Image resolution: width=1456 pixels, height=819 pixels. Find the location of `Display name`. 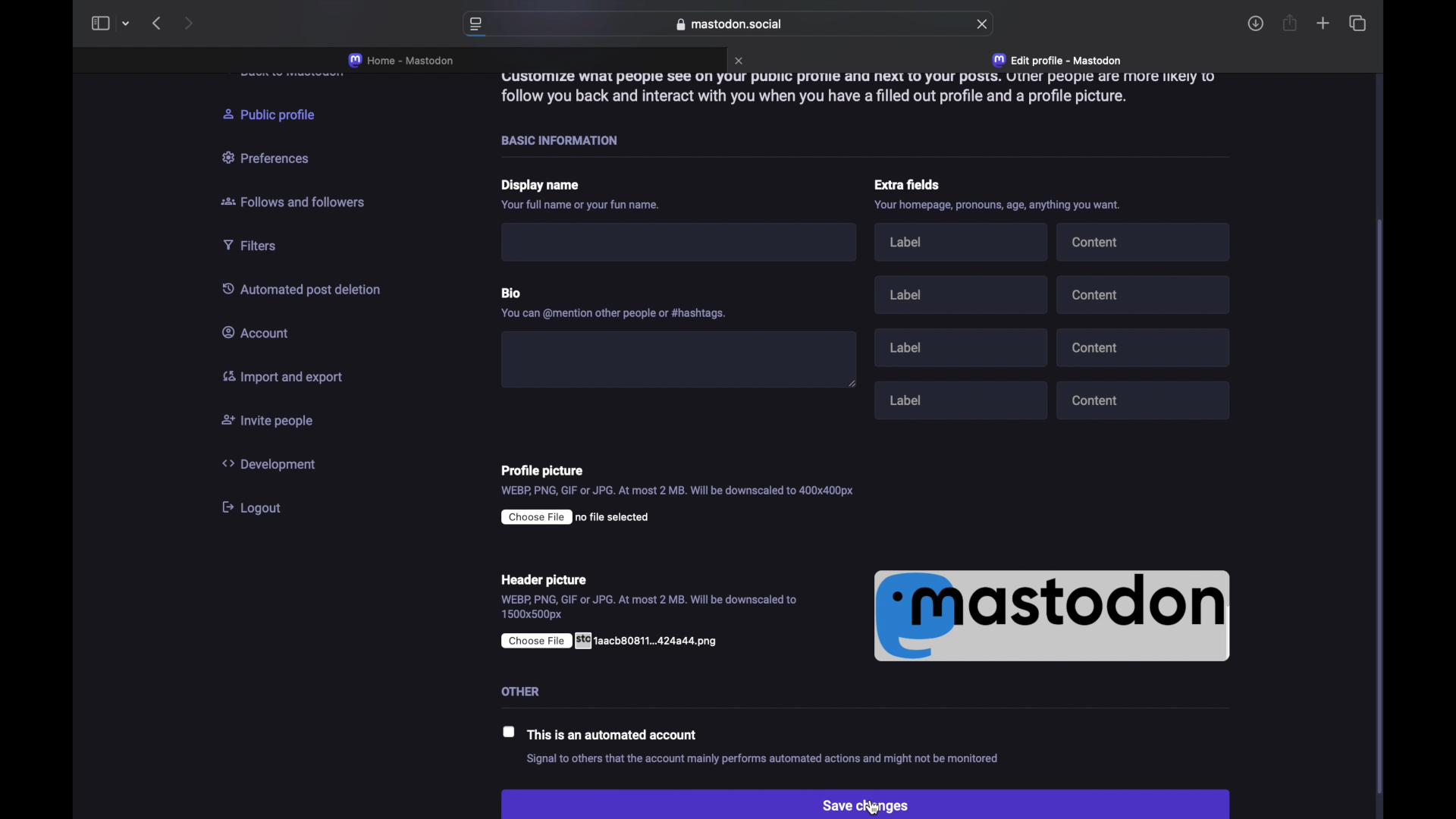

Display name is located at coordinates (541, 186).